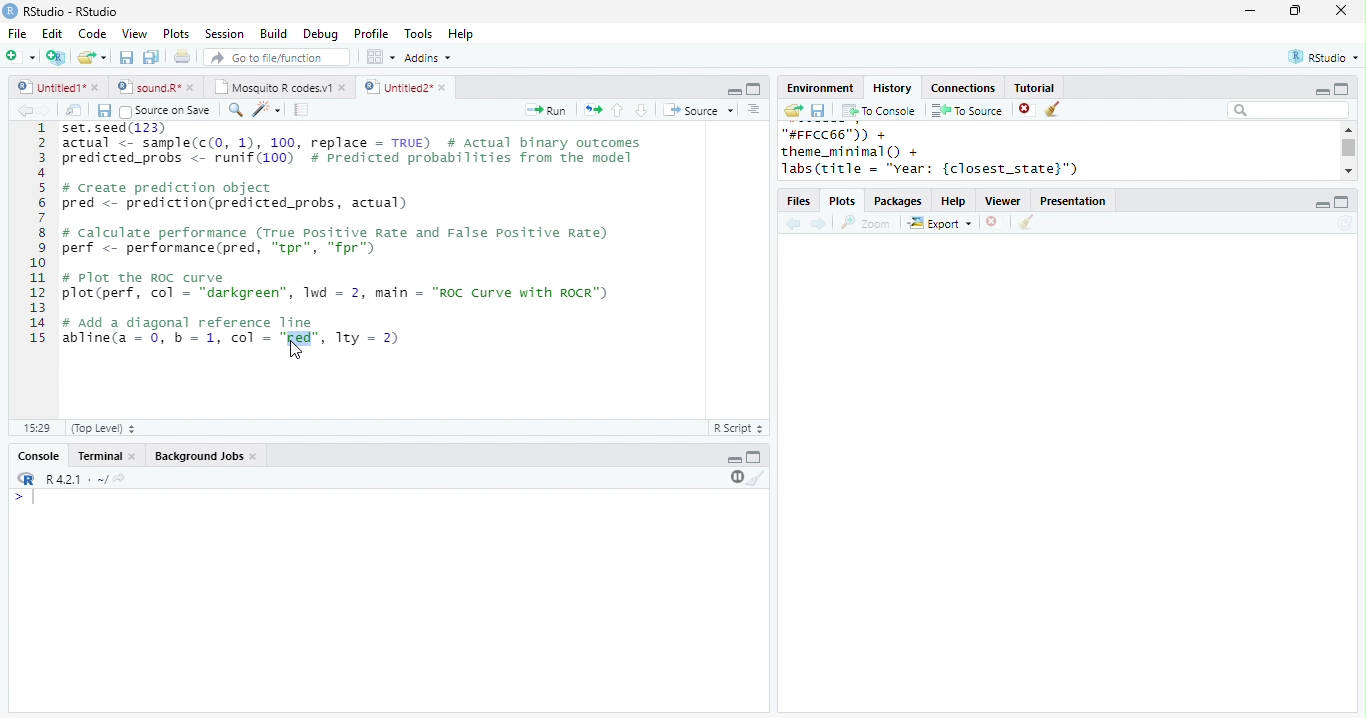  Describe the element at coordinates (866, 223) in the screenshot. I see `Zoom` at that location.